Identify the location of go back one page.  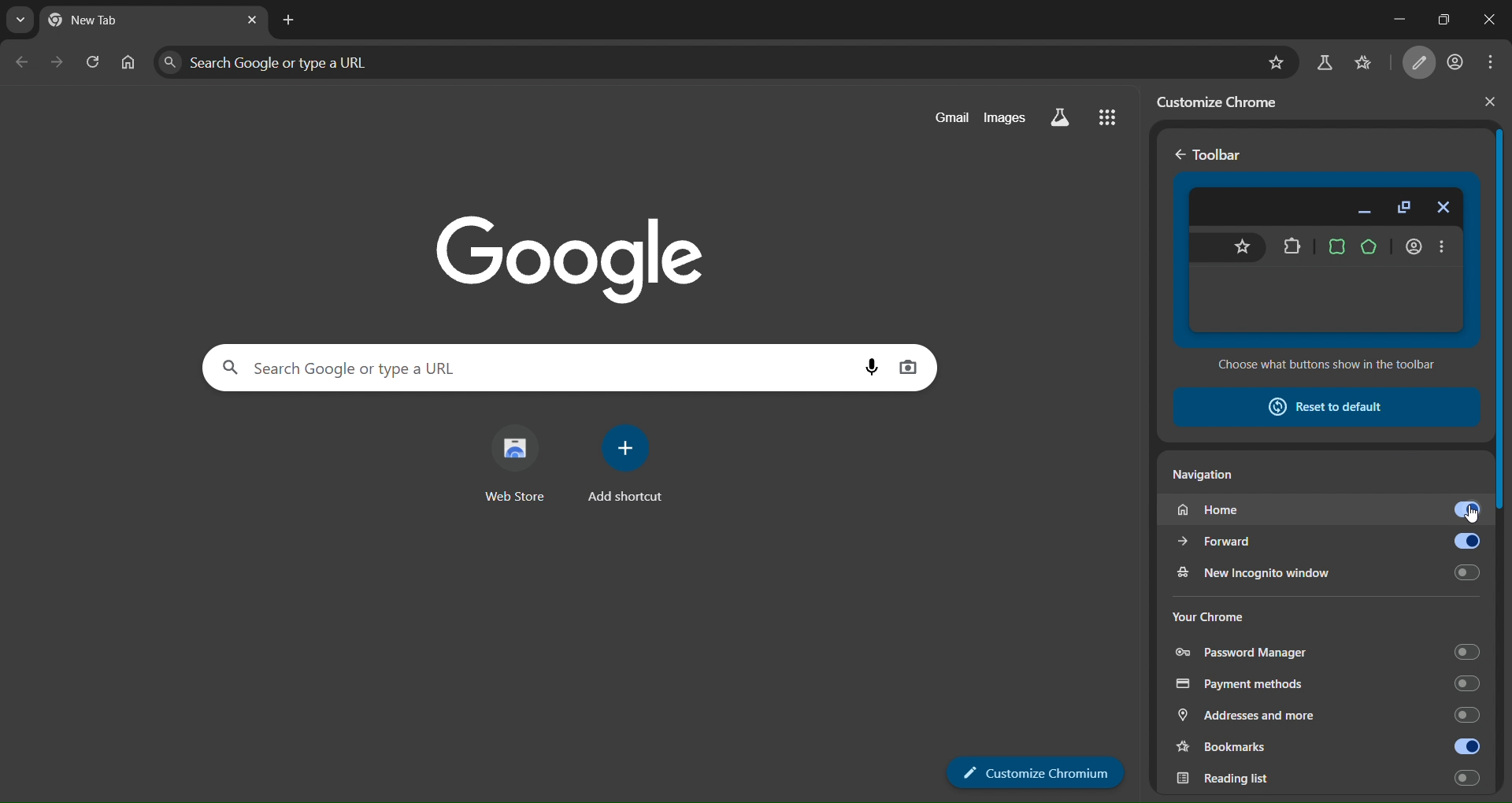
(24, 65).